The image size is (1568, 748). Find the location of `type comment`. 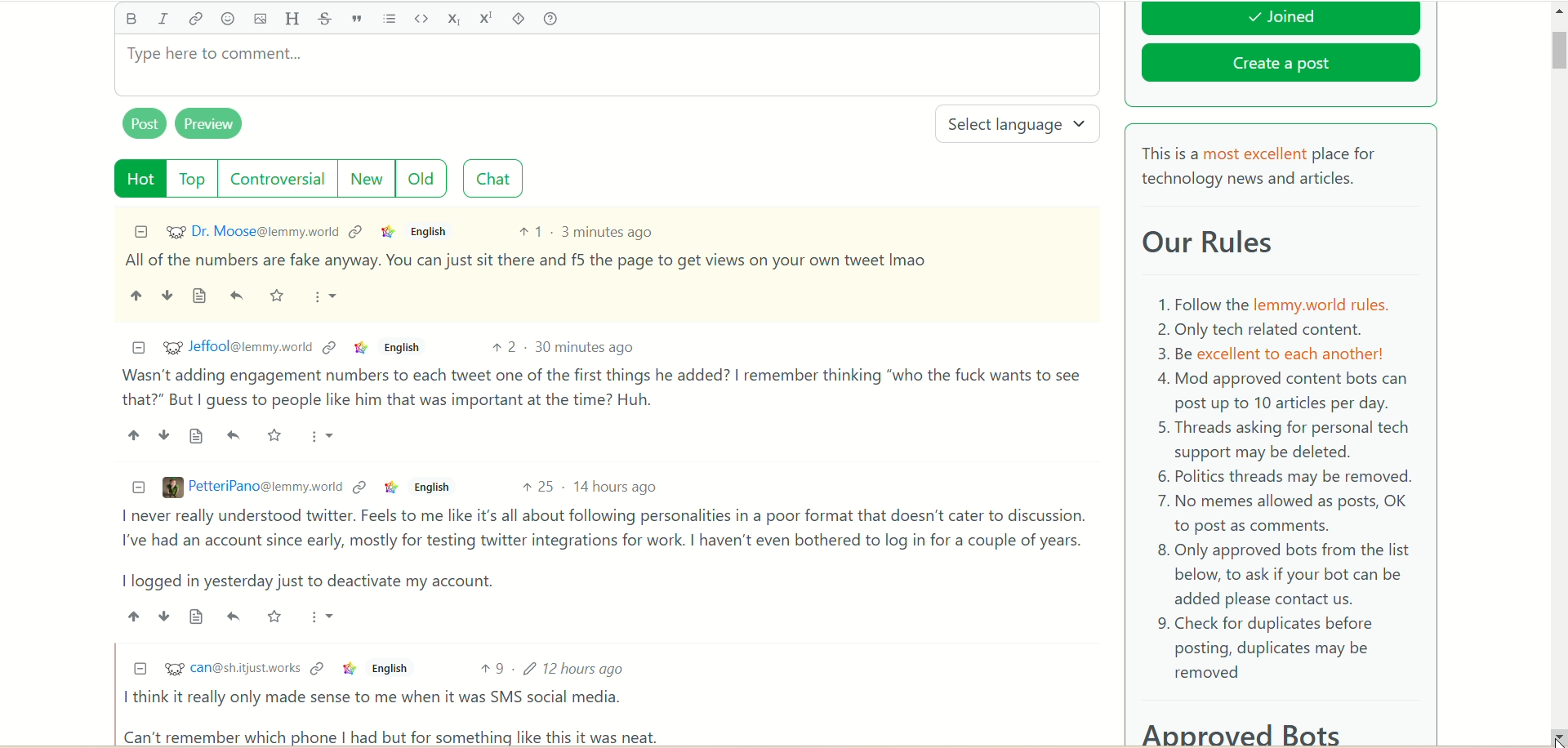

type comment is located at coordinates (607, 65).